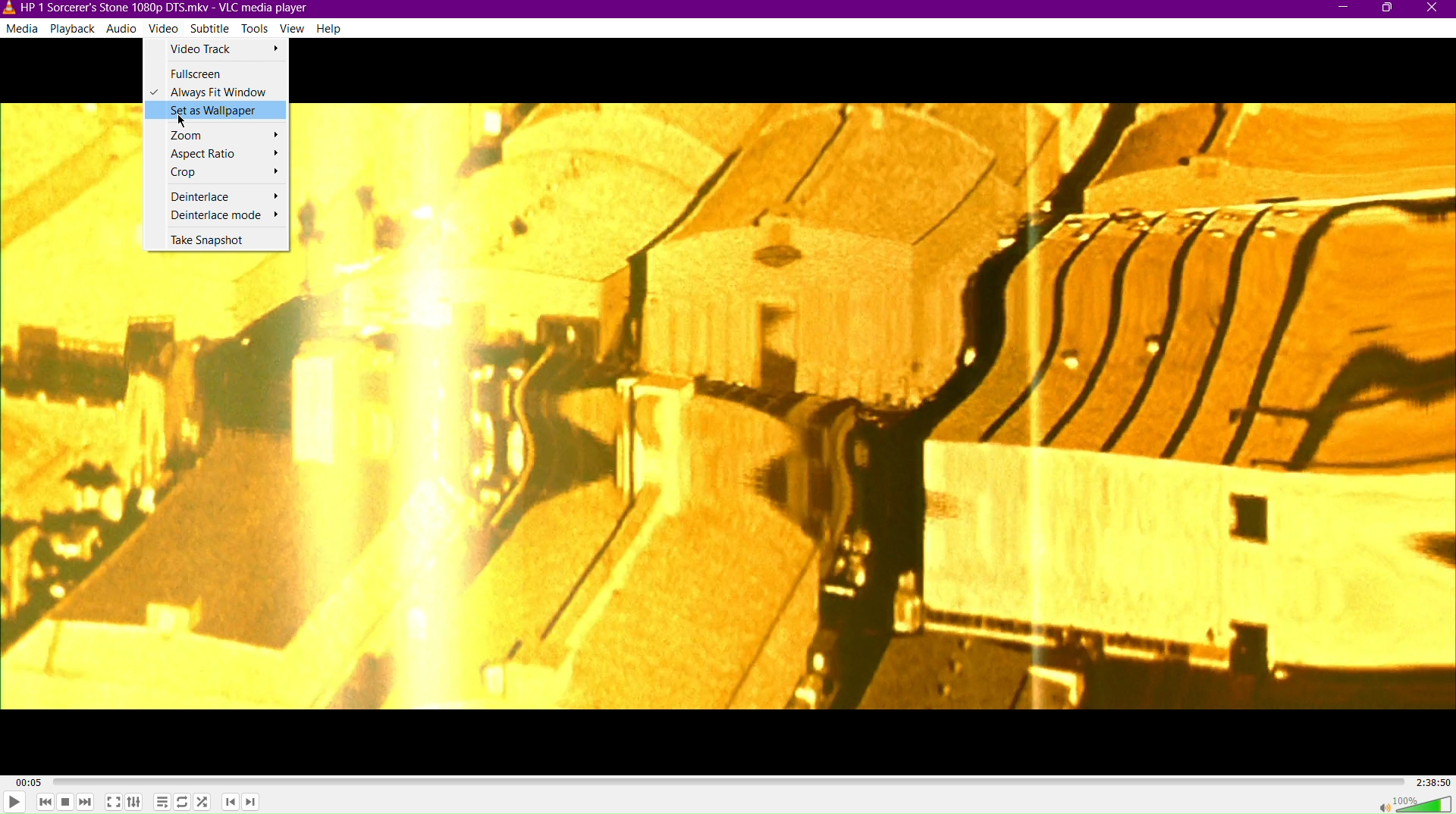  I want to click on End time, so click(1430, 784).